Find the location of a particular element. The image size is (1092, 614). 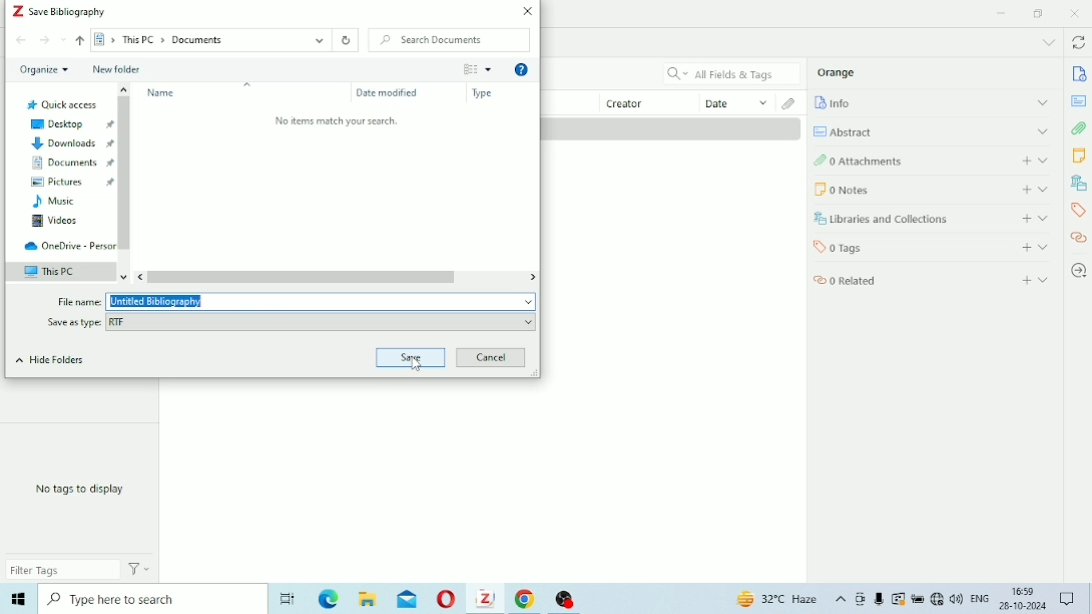

Attachments is located at coordinates (1079, 128).